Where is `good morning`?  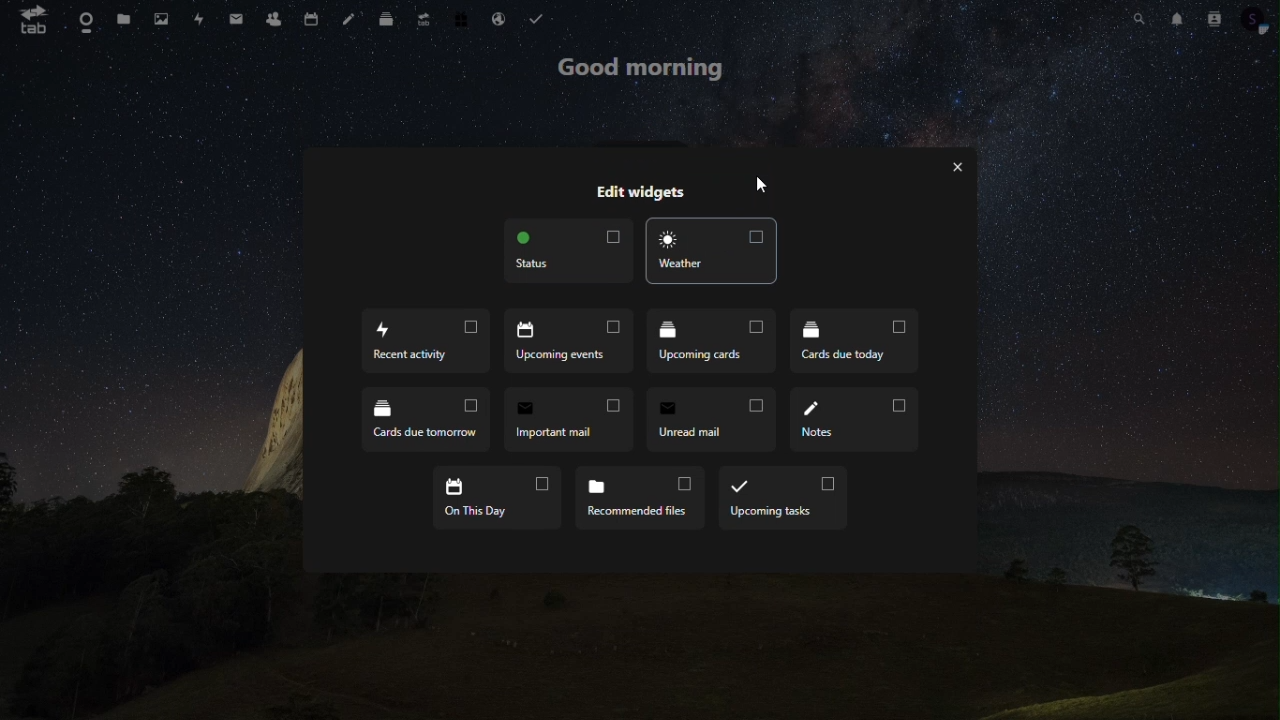 good morning is located at coordinates (636, 67).